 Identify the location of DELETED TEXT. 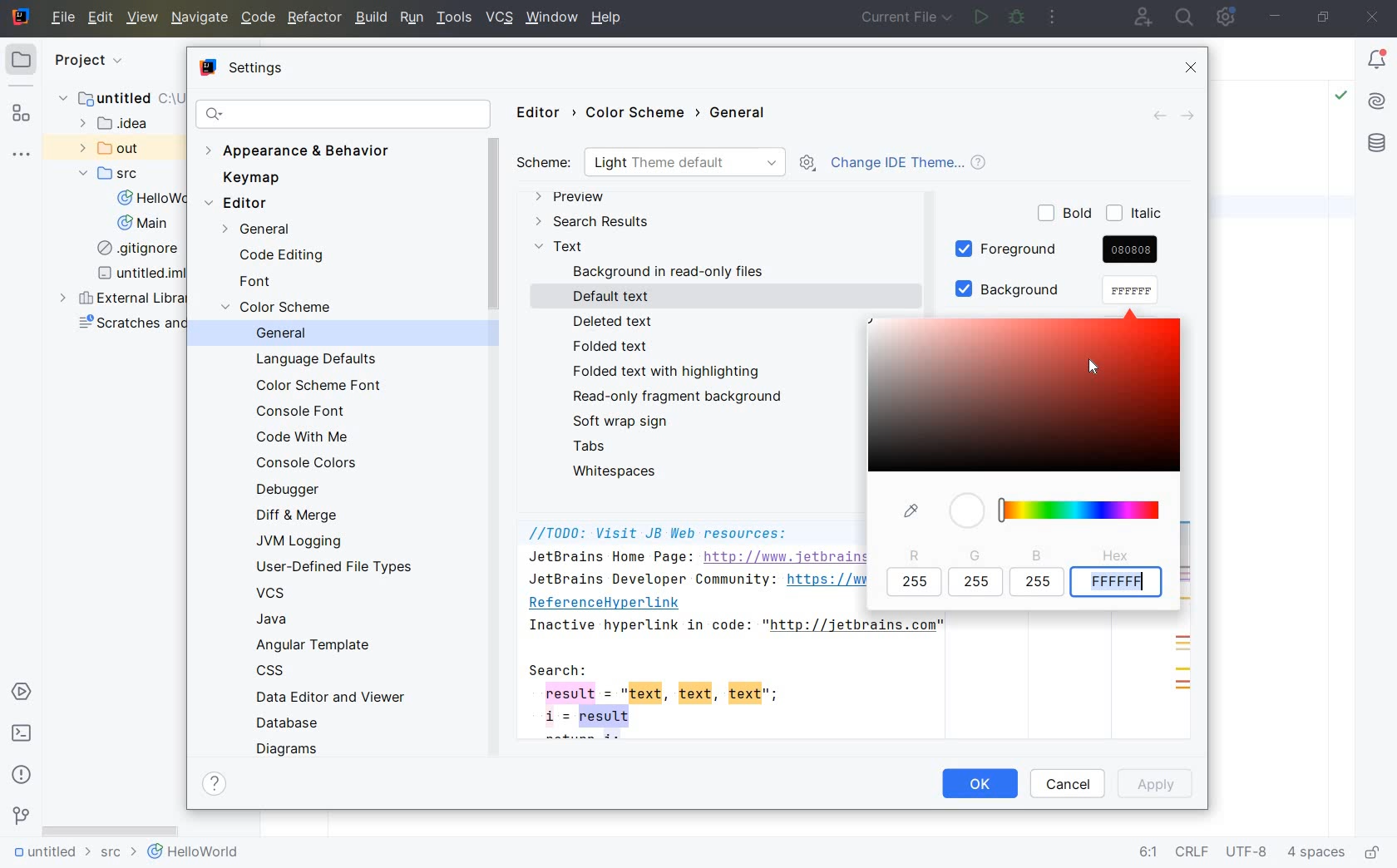
(612, 320).